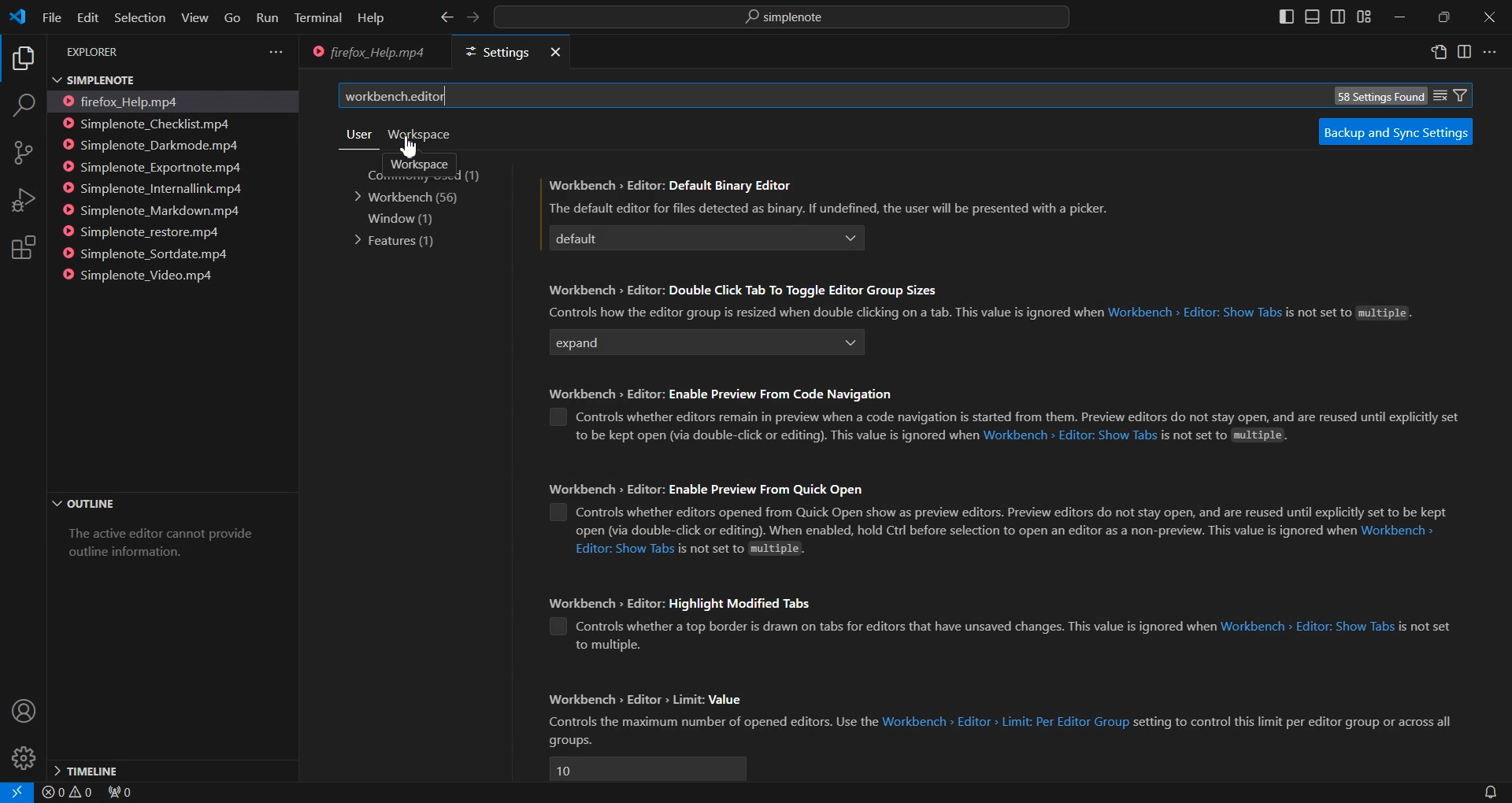 The image size is (1512, 803). What do you see at coordinates (1395, 131) in the screenshot?
I see `Backup and sync Settings` at bounding box center [1395, 131].